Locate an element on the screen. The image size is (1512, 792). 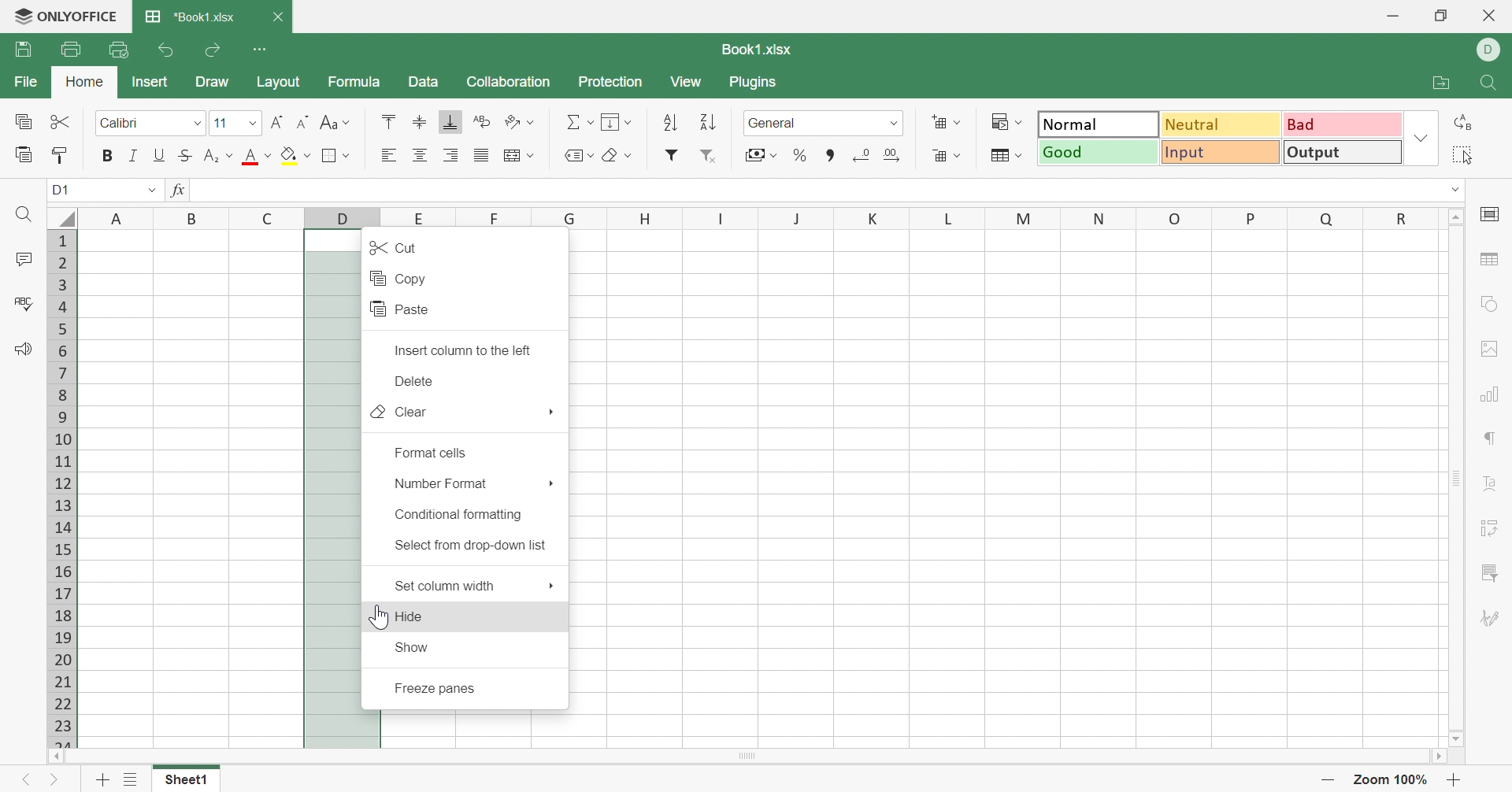
Image settings is located at coordinates (1492, 349).